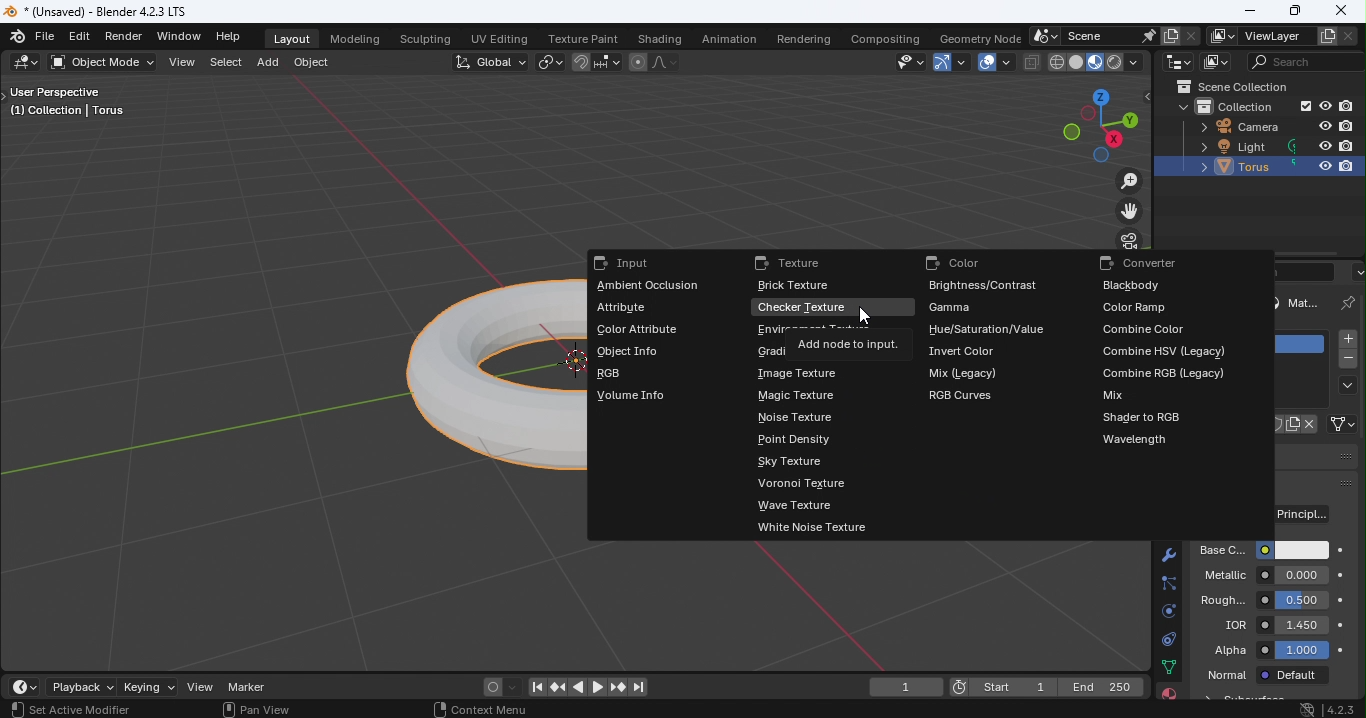 Image resolution: width=1366 pixels, height=718 pixels. What do you see at coordinates (790, 439) in the screenshot?
I see `Point density` at bounding box center [790, 439].